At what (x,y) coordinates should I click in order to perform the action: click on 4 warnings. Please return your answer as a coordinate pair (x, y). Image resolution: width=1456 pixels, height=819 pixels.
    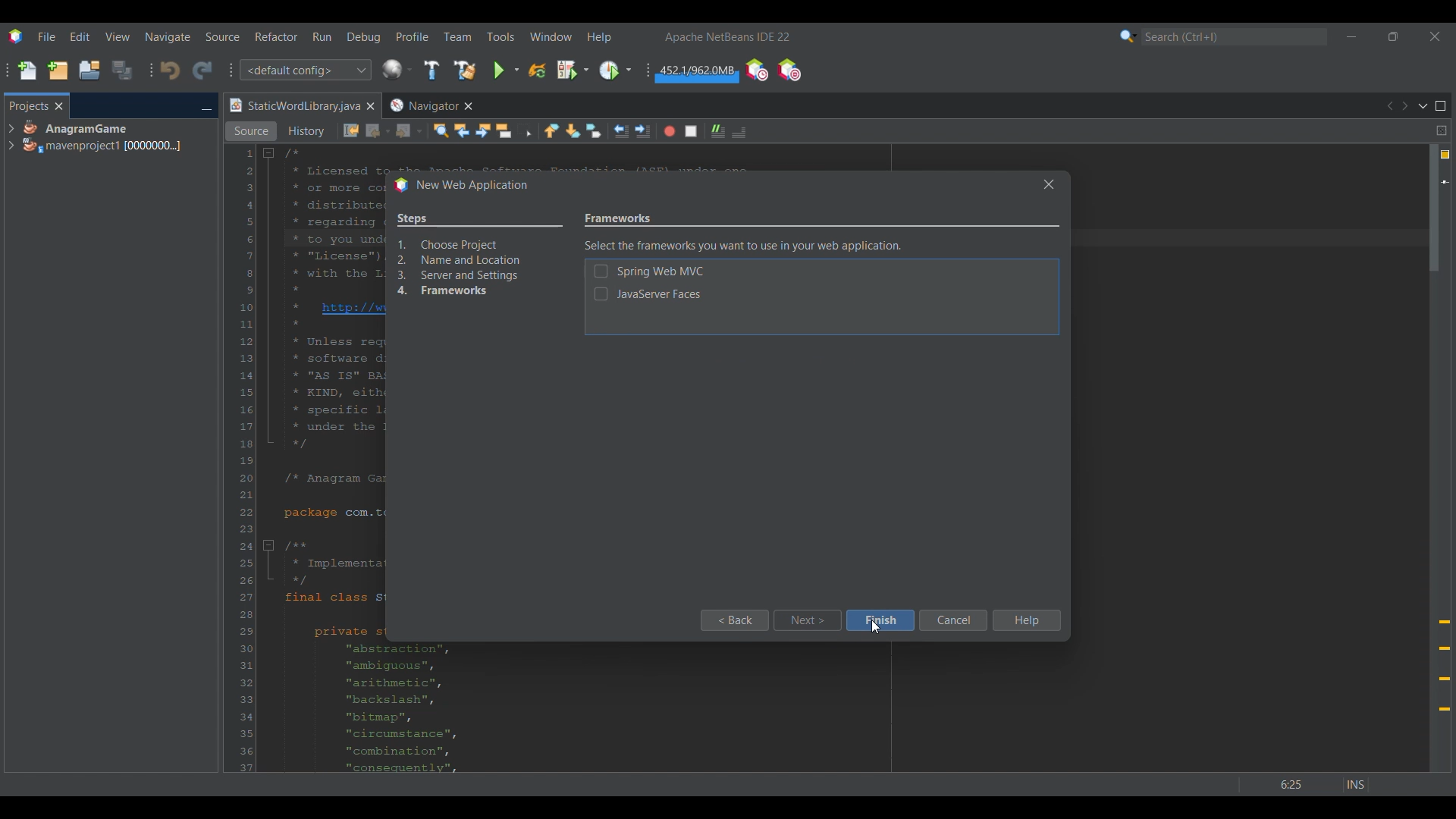
    Looking at the image, I should click on (1445, 155).